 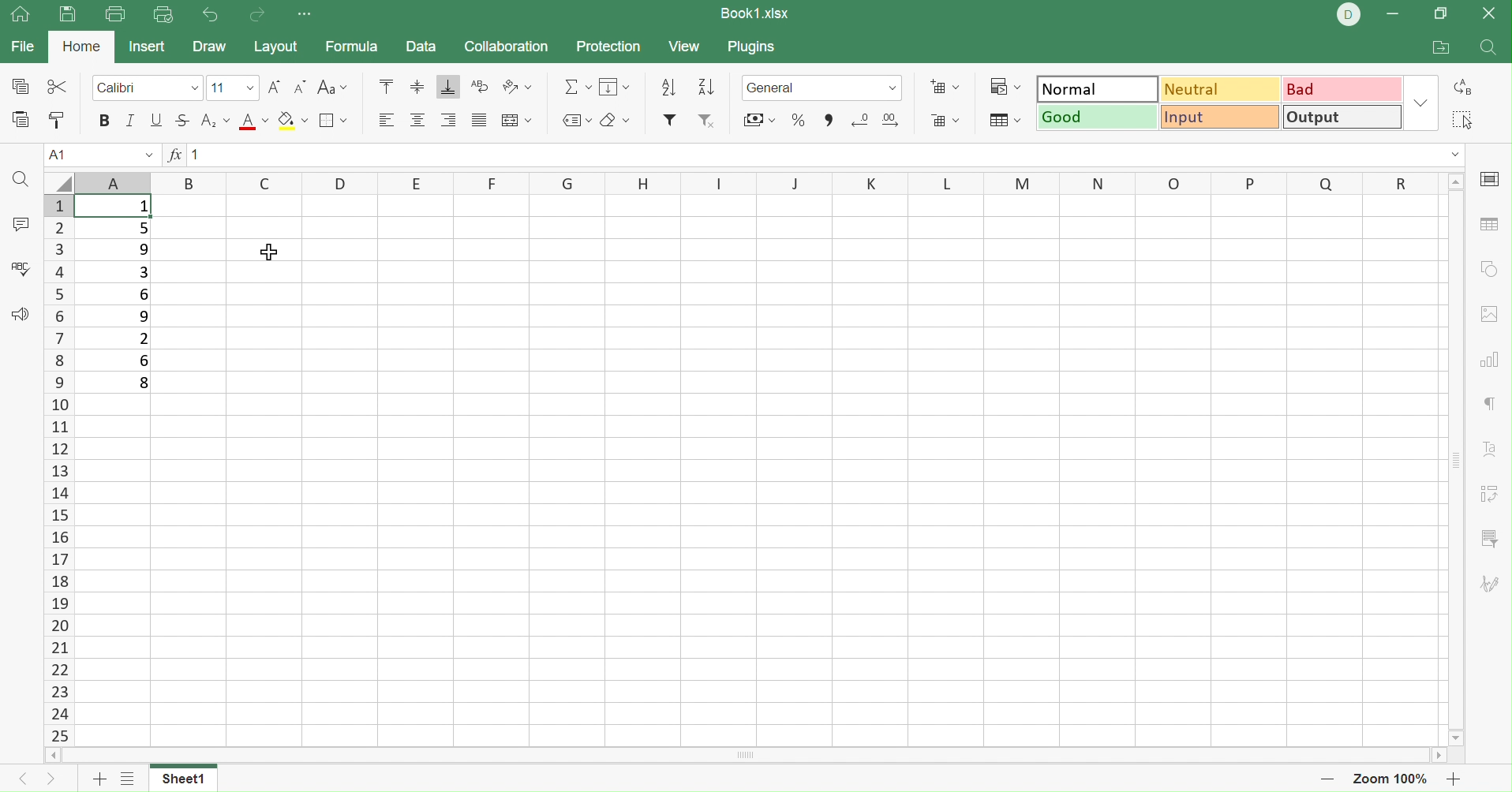 What do you see at coordinates (1219, 117) in the screenshot?
I see `Input` at bounding box center [1219, 117].